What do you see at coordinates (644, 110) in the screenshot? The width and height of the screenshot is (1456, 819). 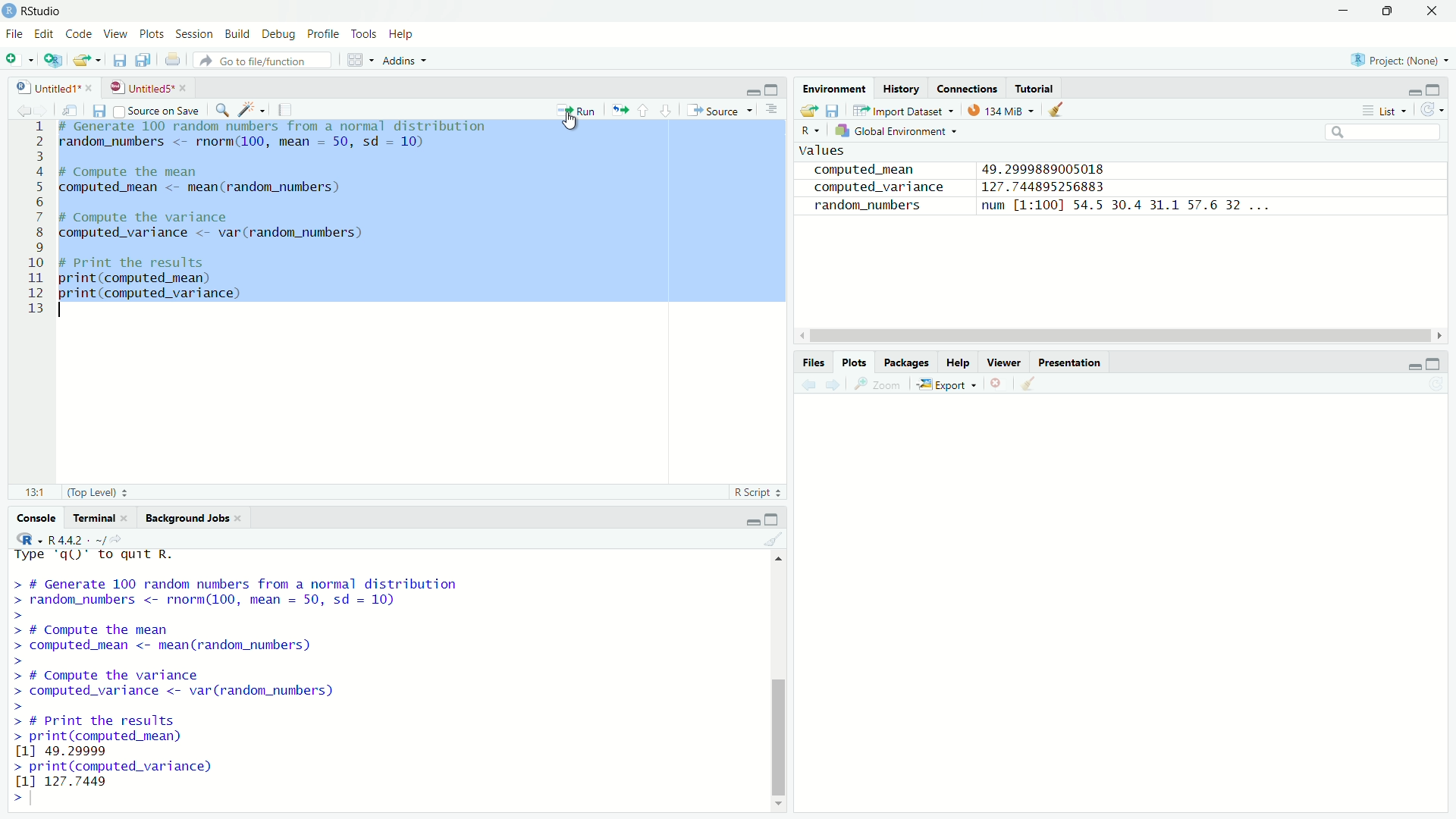 I see `go to previous section/chunk` at bounding box center [644, 110].